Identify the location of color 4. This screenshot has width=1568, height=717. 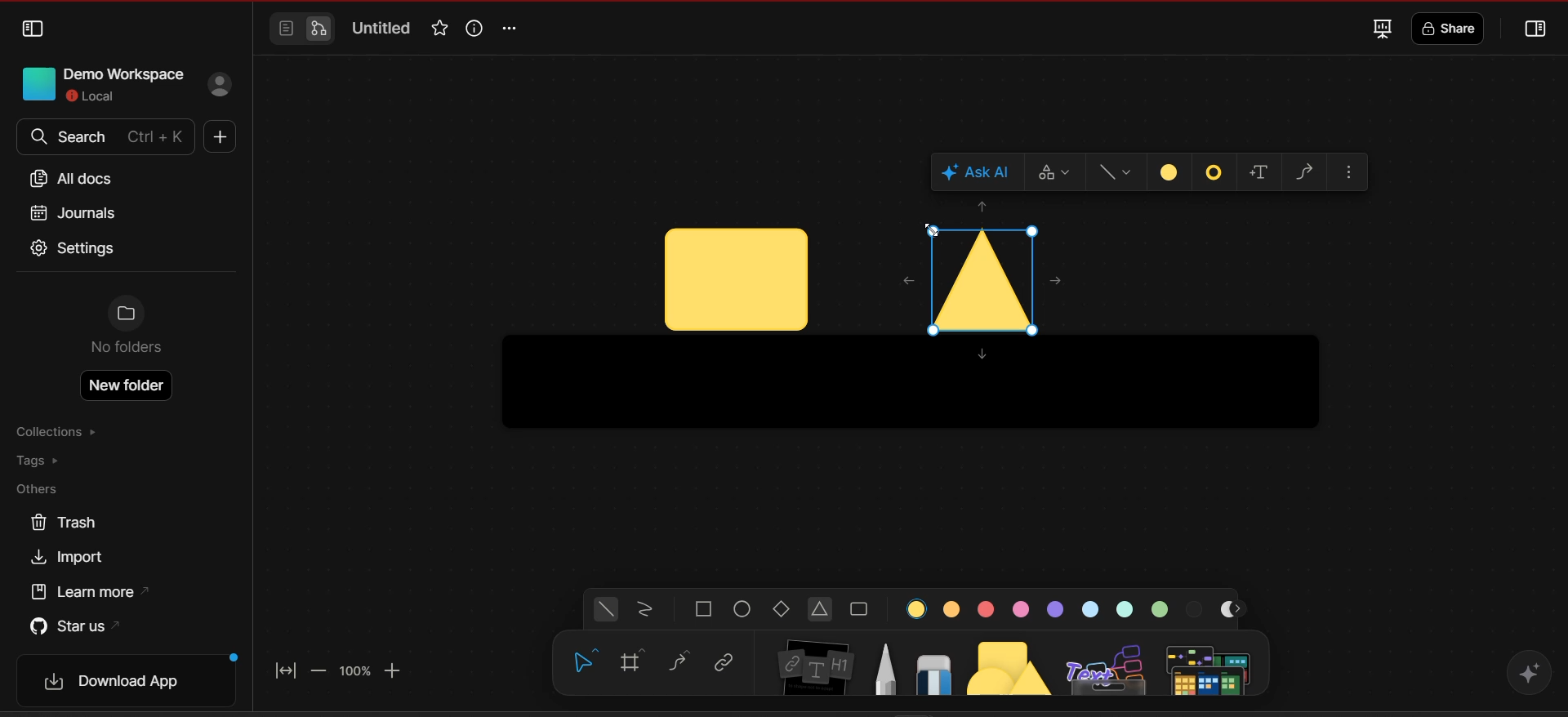
(1020, 609).